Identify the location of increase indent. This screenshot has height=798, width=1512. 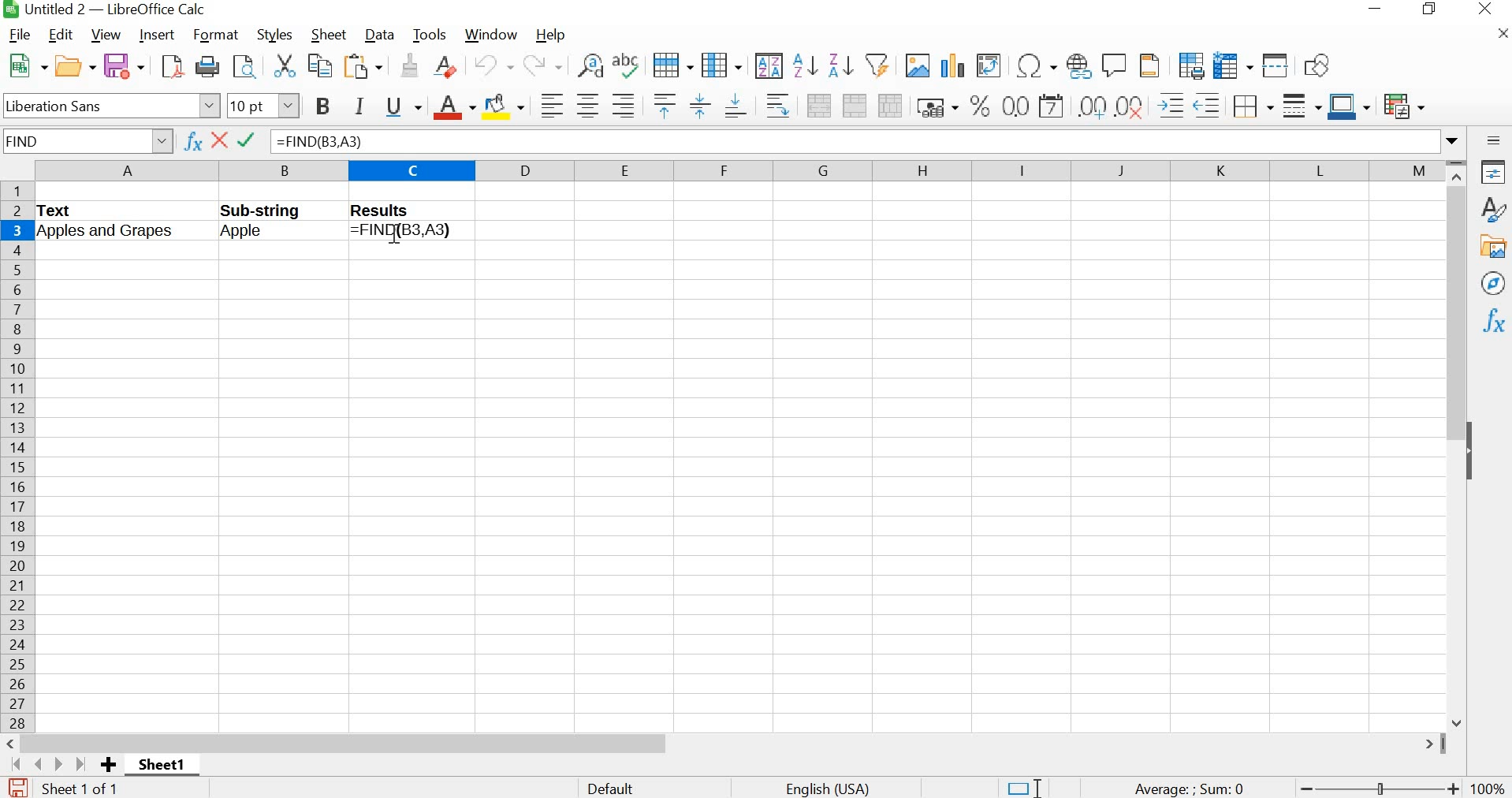
(1171, 104).